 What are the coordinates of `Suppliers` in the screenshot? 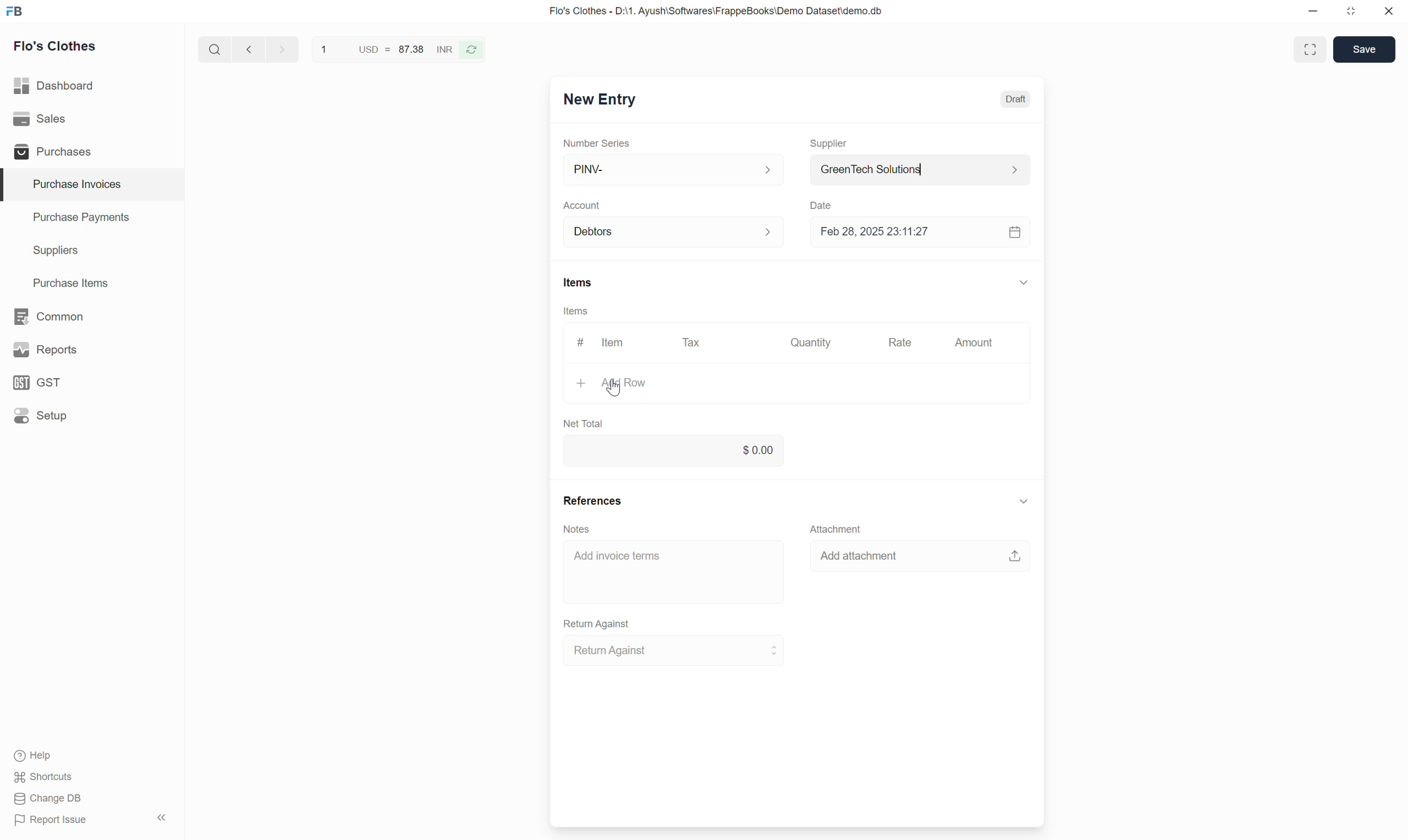 It's located at (92, 251).